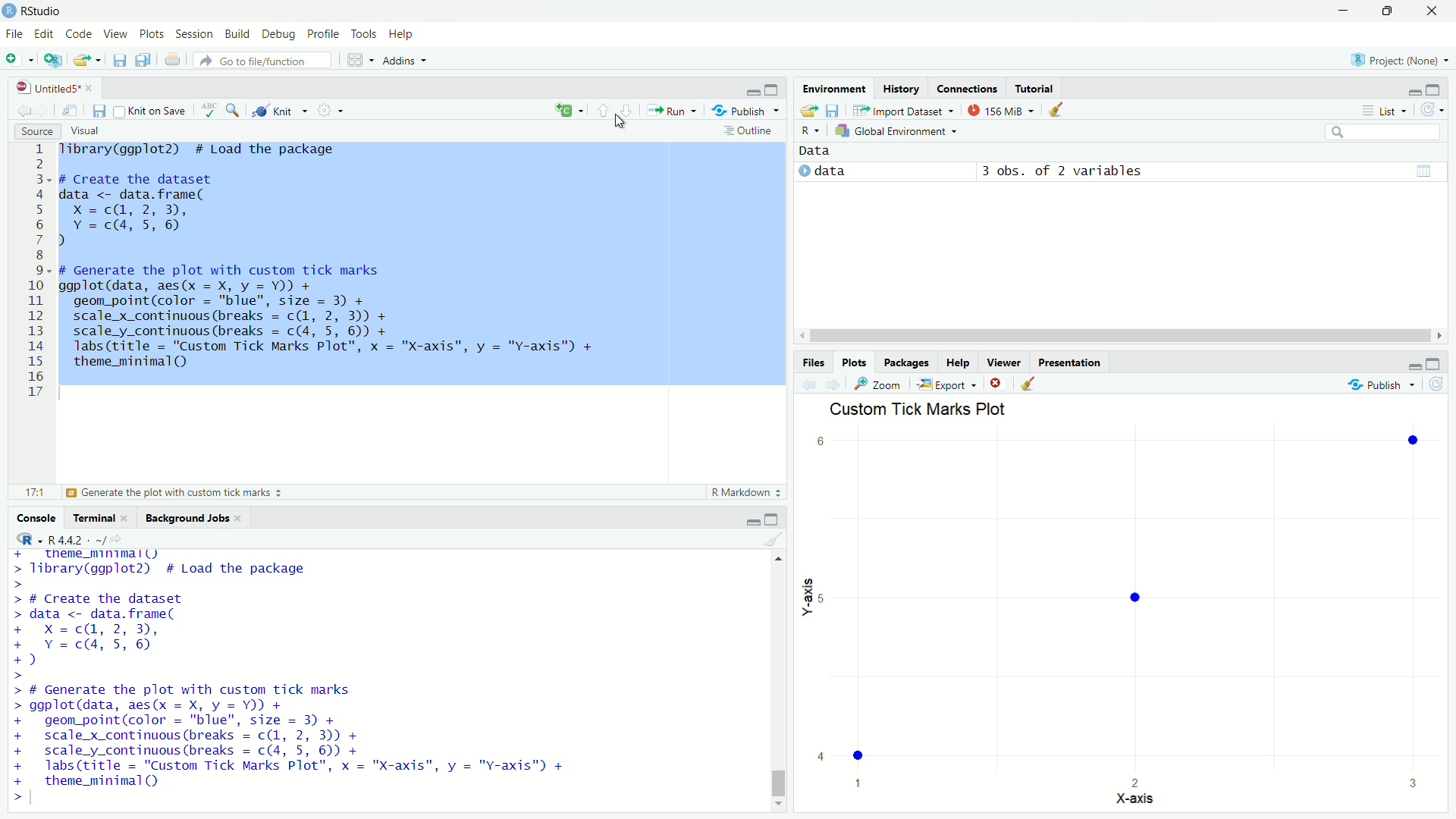 The width and height of the screenshot is (1456, 819). What do you see at coordinates (777, 684) in the screenshot?
I see `scrollbar` at bounding box center [777, 684].